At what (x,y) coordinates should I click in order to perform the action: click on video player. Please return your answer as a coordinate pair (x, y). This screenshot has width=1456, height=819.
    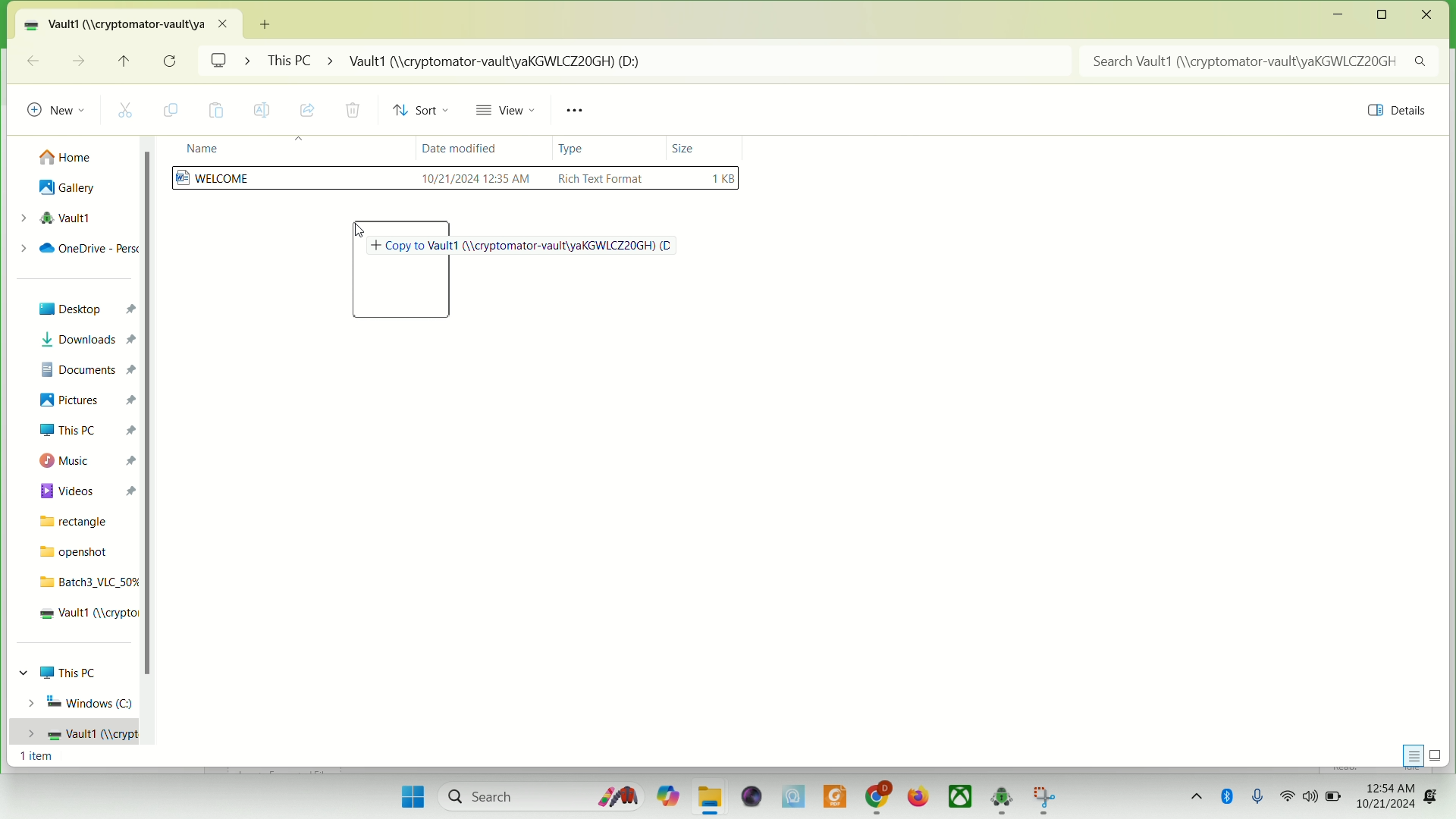
    Looking at the image, I should click on (748, 795).